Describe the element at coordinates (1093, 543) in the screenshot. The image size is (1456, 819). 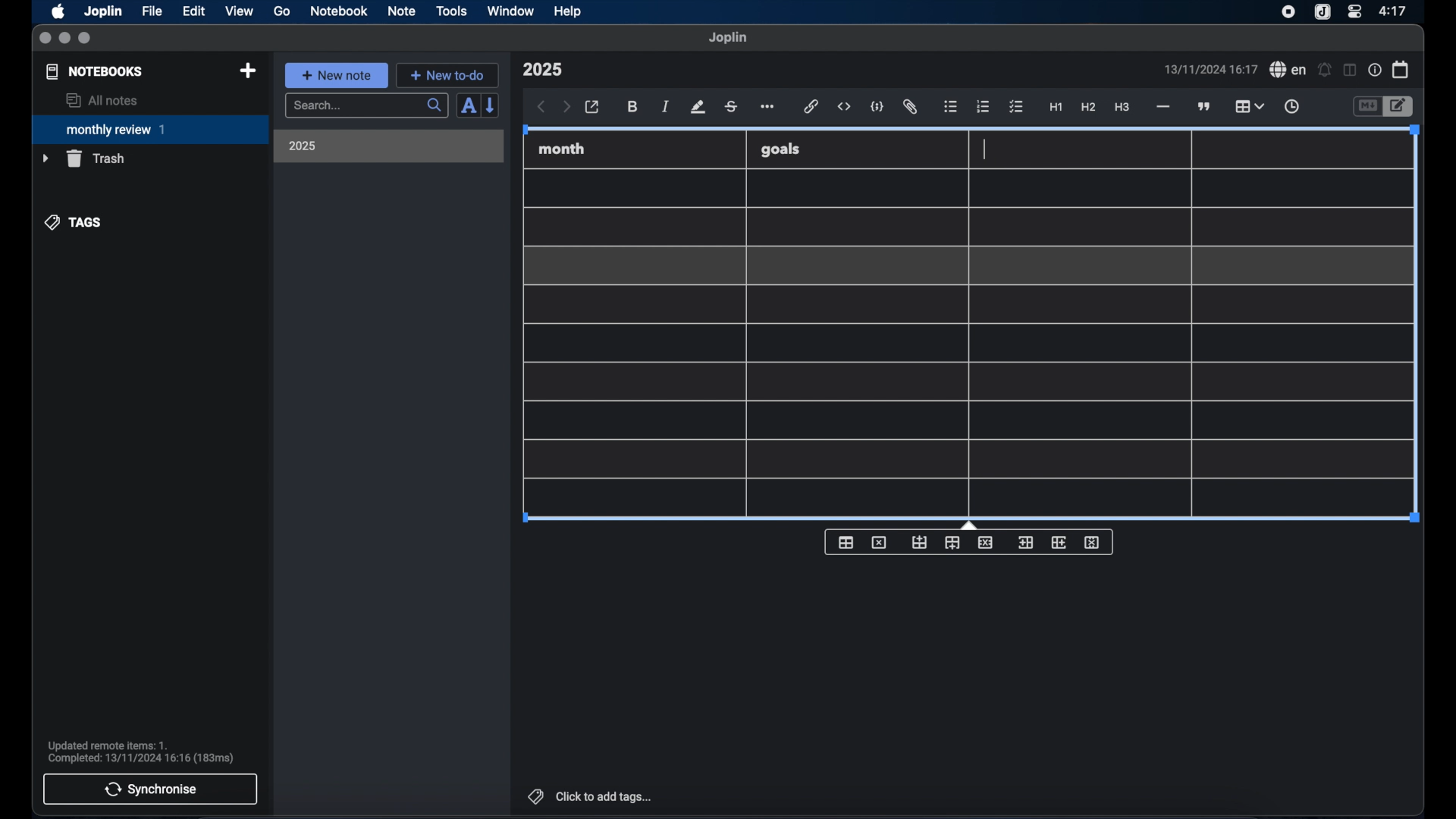
I see `delete column` at that location.